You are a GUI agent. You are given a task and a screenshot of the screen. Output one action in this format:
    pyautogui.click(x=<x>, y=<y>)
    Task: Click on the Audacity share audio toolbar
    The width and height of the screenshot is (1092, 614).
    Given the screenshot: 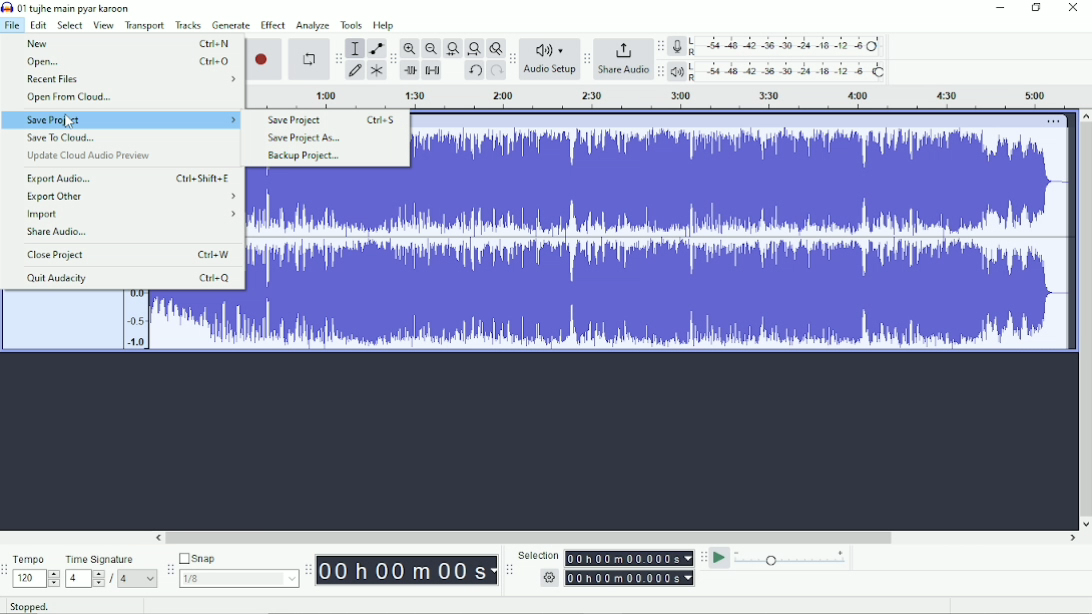 What is the action you would take?
    pyautogui.click(x=587, y=60)
    